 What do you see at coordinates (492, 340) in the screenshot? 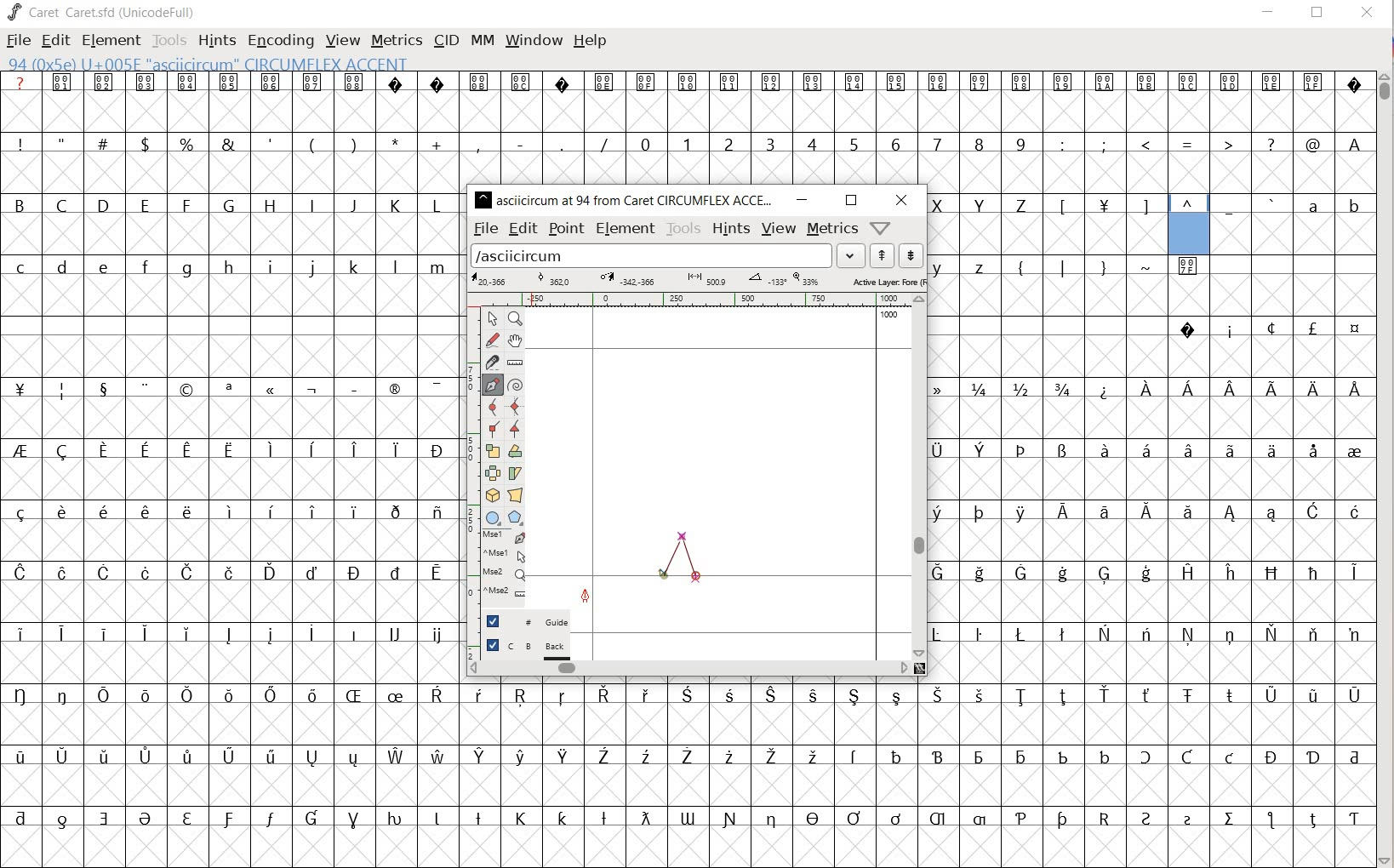
I see `draw a freehand curve` at bounding box center [492, 340].